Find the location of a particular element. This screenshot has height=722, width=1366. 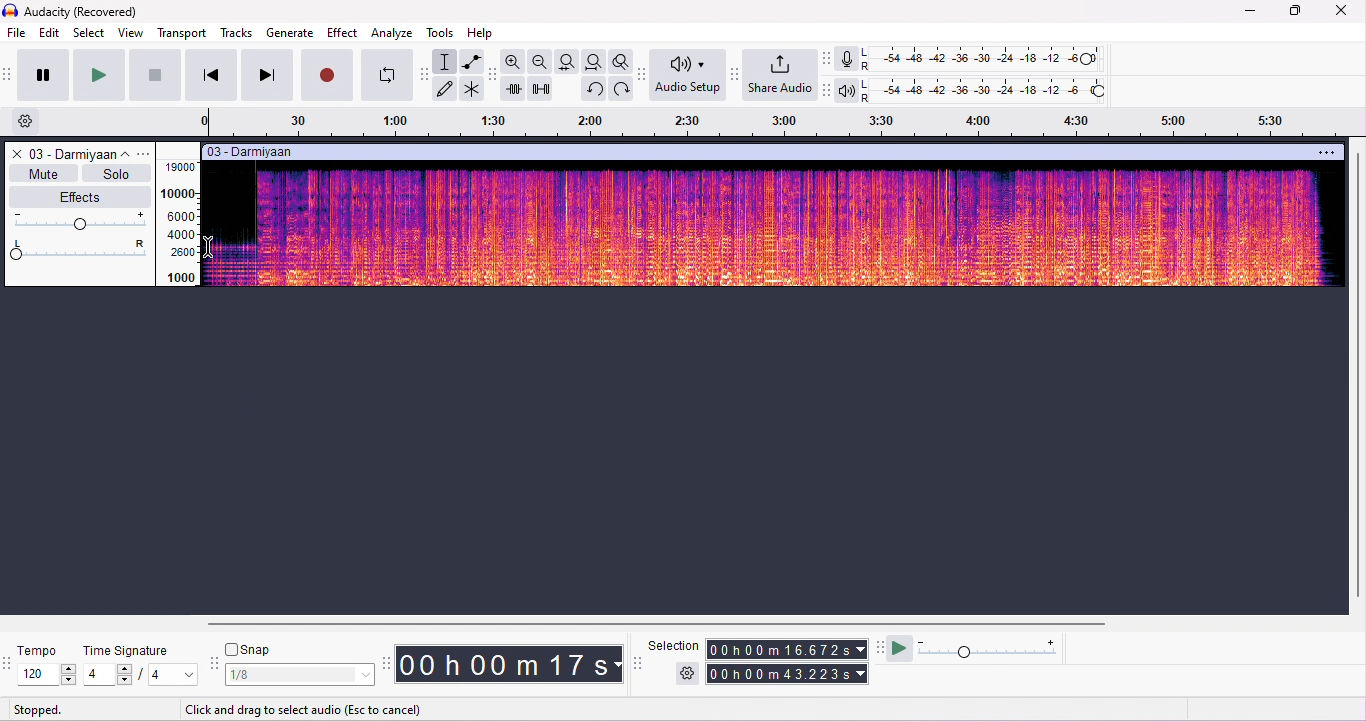

record meter toolbar is located at coordinates (828, 58).